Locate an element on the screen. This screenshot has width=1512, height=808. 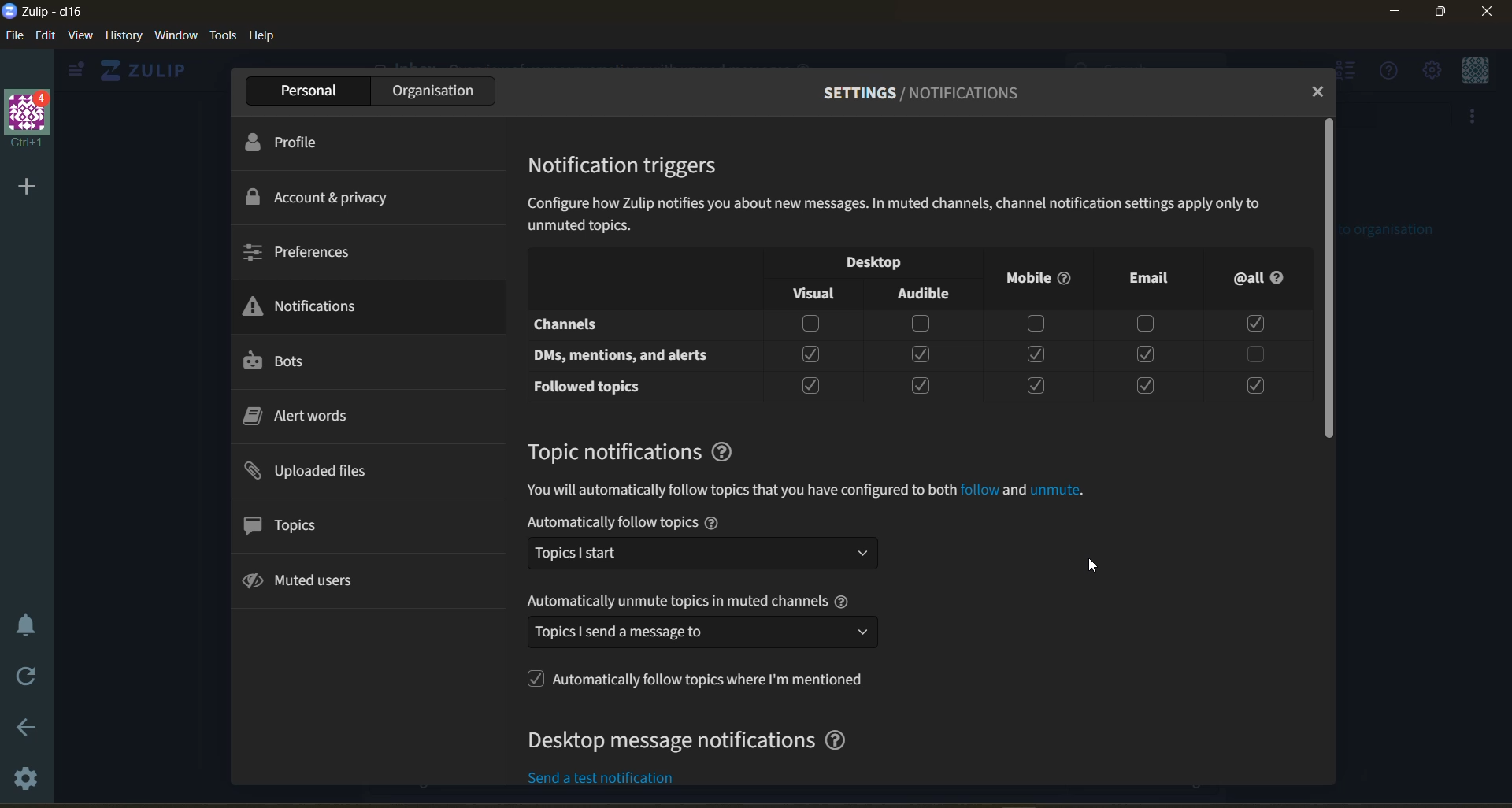
Minimize is located at coordinates (1395, 13).